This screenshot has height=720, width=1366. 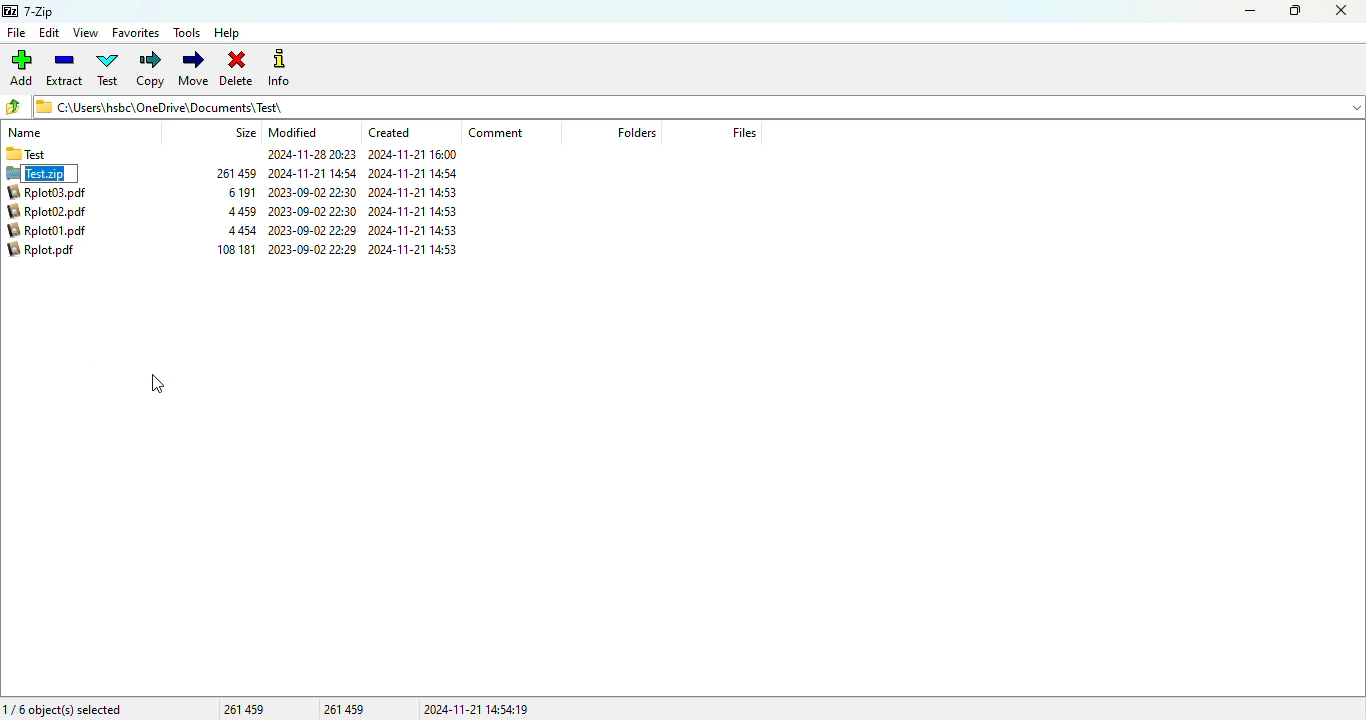 What do you see at coordinates (63, 708) in the screenshot?
I see `1/6 object(s) selected` at bounding box center [63, 708].